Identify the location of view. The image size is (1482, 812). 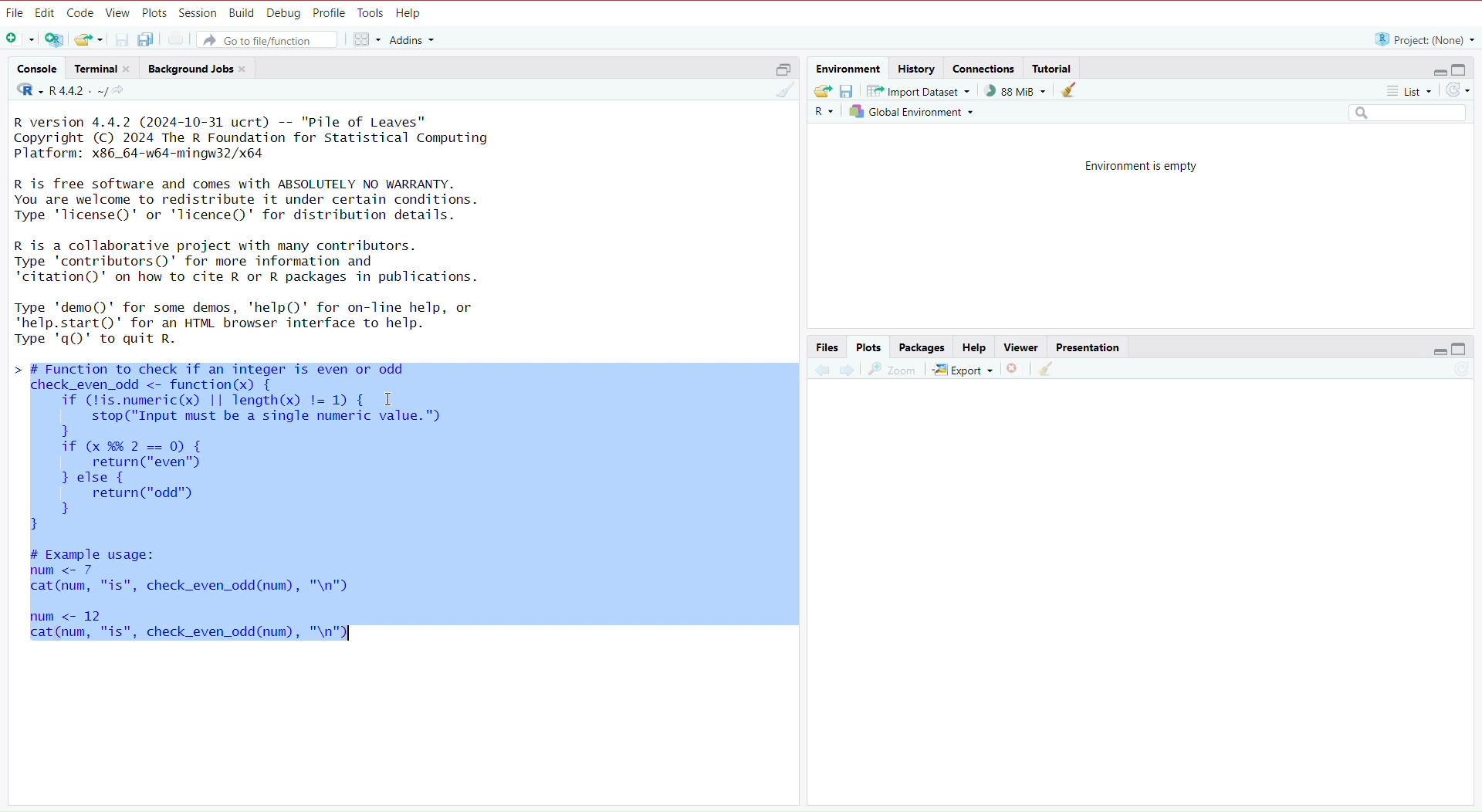
(118, 14).